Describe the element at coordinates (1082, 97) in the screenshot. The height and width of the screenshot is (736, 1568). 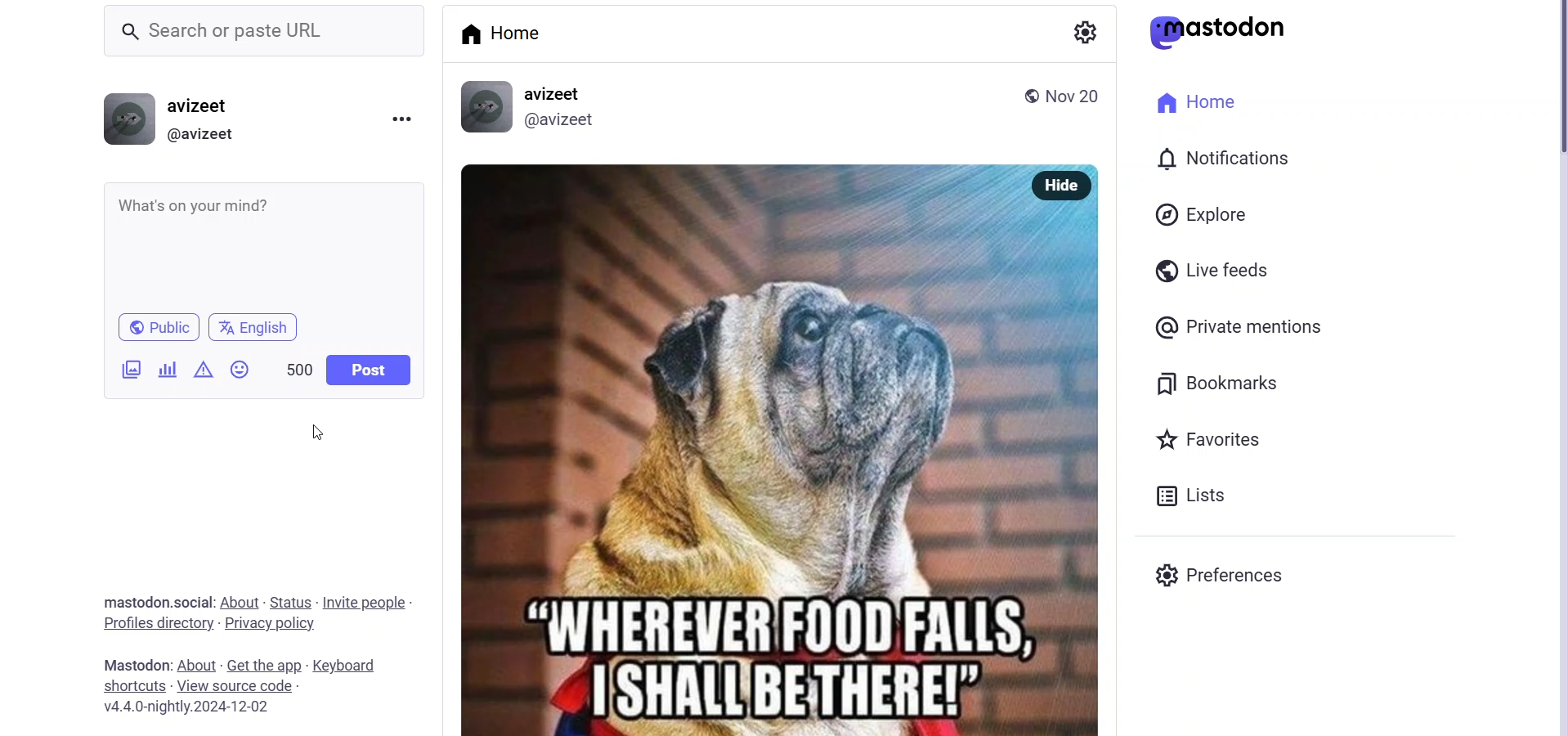
I see `nov 20` at that location.